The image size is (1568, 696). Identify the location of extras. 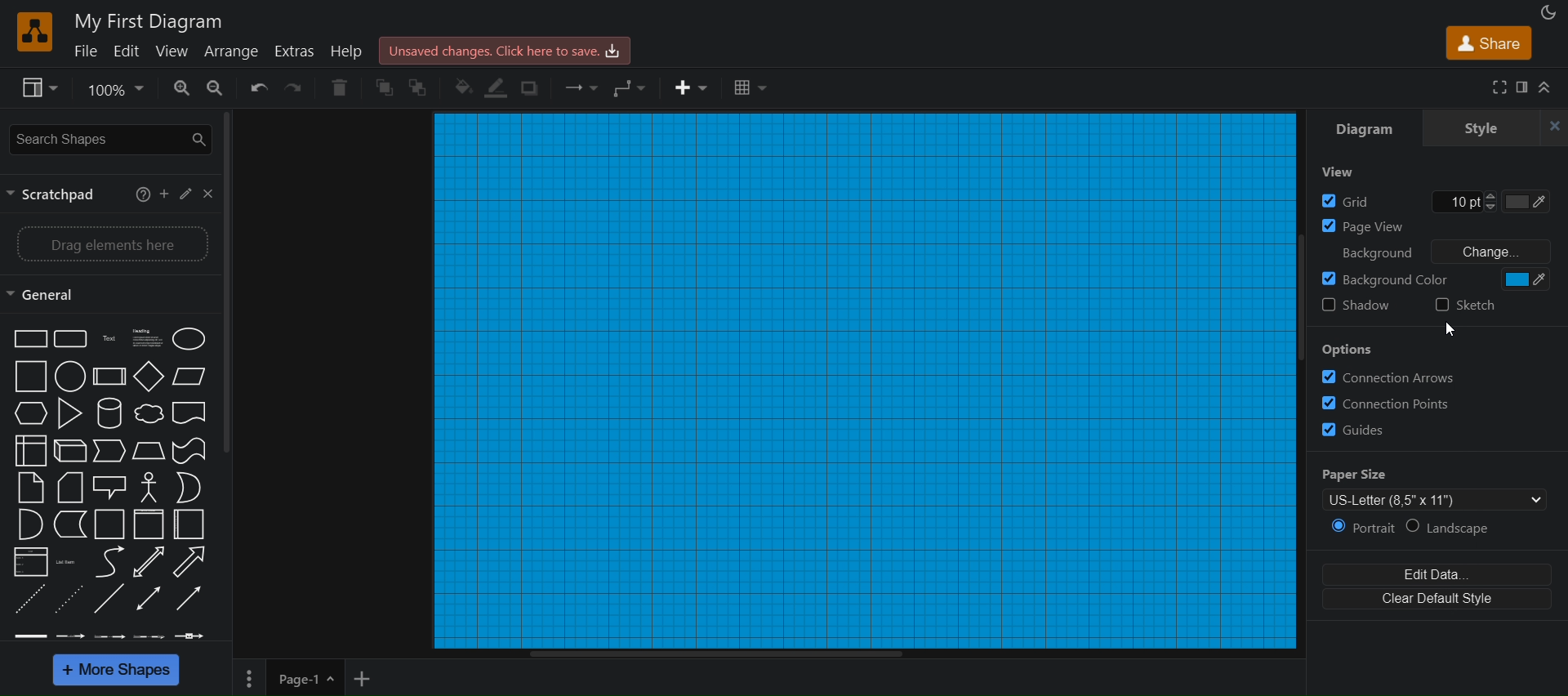
(293, 51).